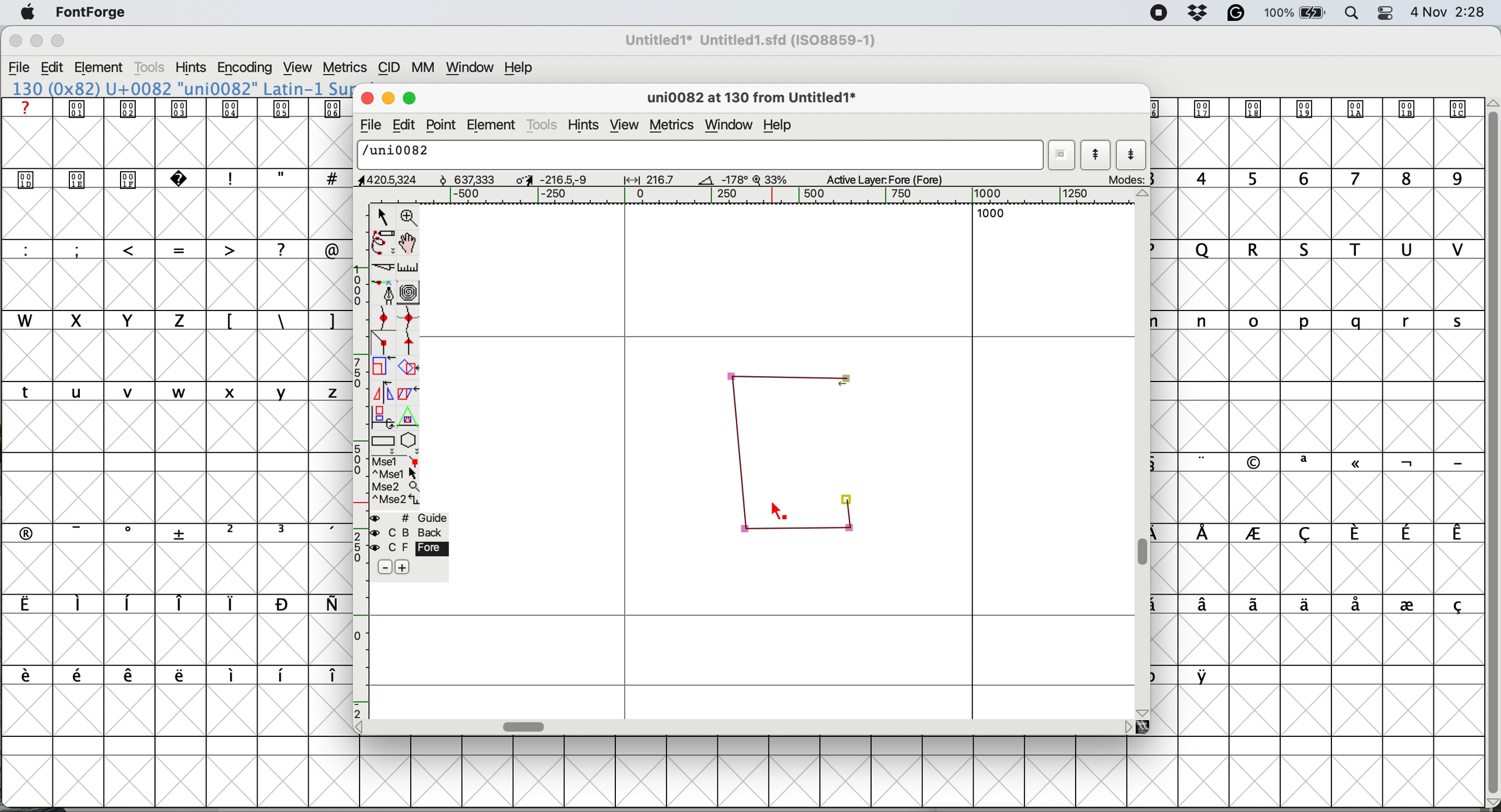 This screenshot has width=1501, height=812. I want to click on Date and Time, so click(1453, 12).